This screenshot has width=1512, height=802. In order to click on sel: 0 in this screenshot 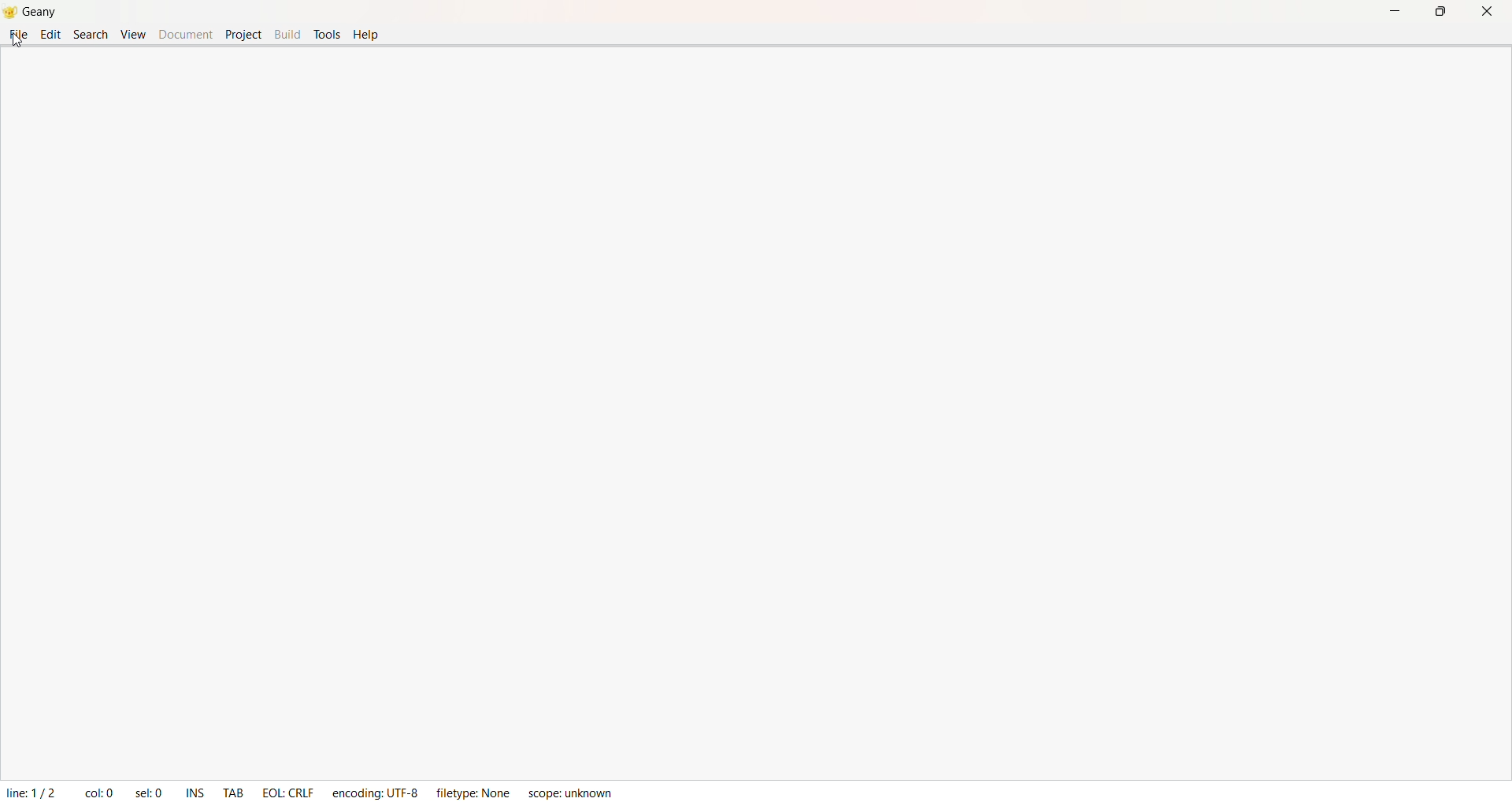, I will do `click(148, 792)`.